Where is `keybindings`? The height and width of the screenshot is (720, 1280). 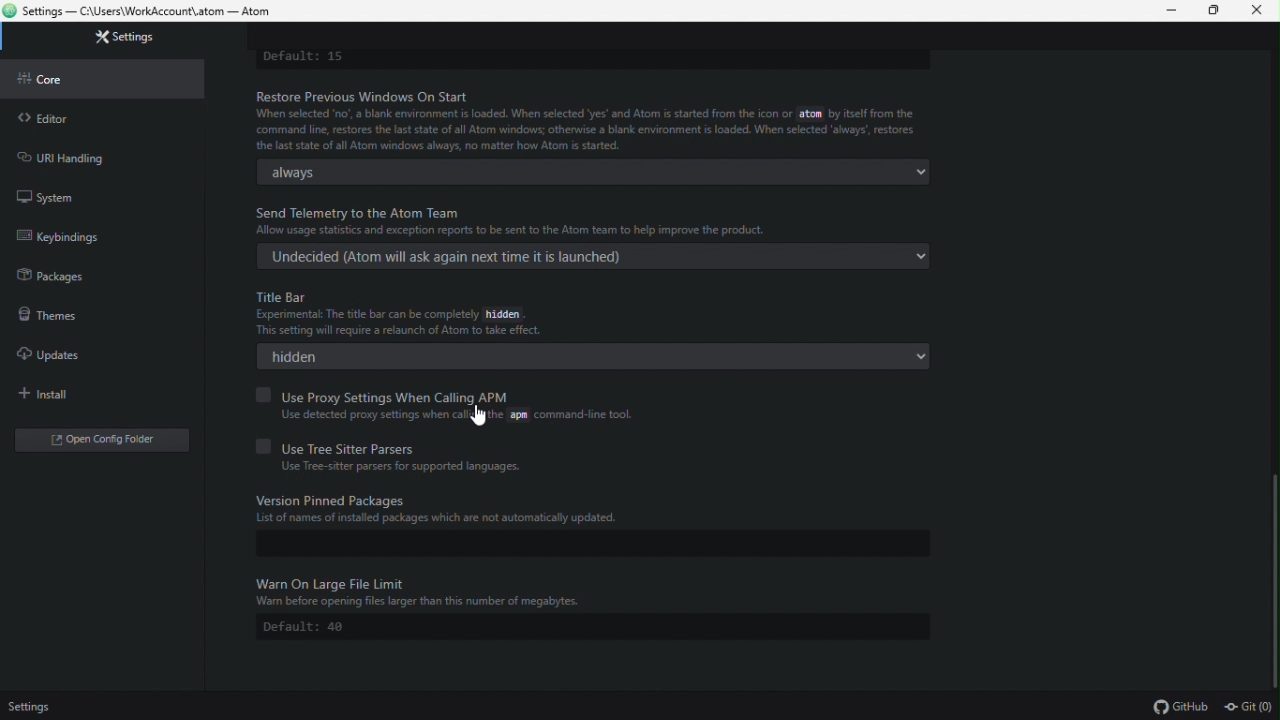
keybindings is located at coordinates (98, 237).